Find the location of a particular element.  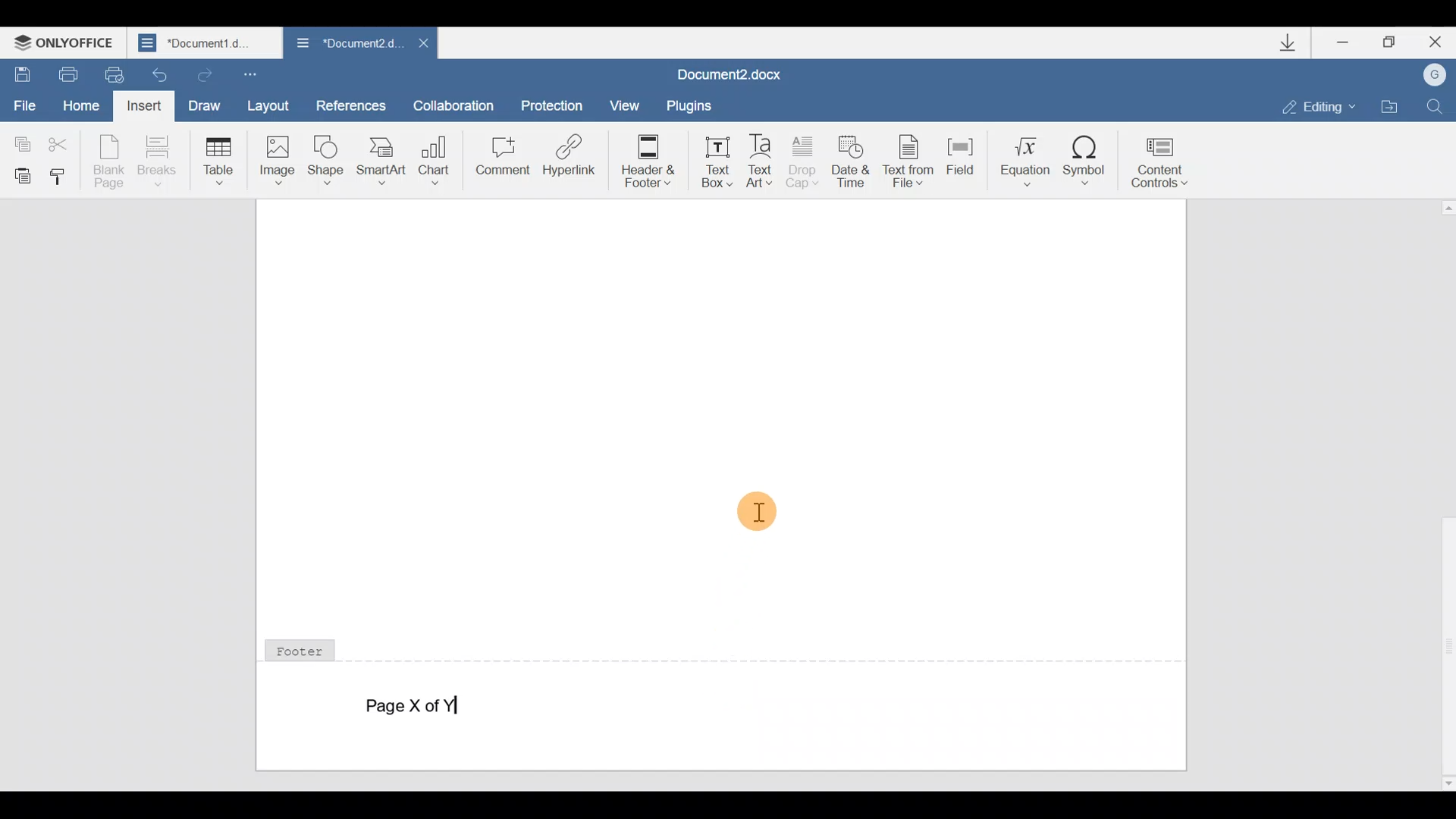

Drop cap is located at coordinates (807, 161).